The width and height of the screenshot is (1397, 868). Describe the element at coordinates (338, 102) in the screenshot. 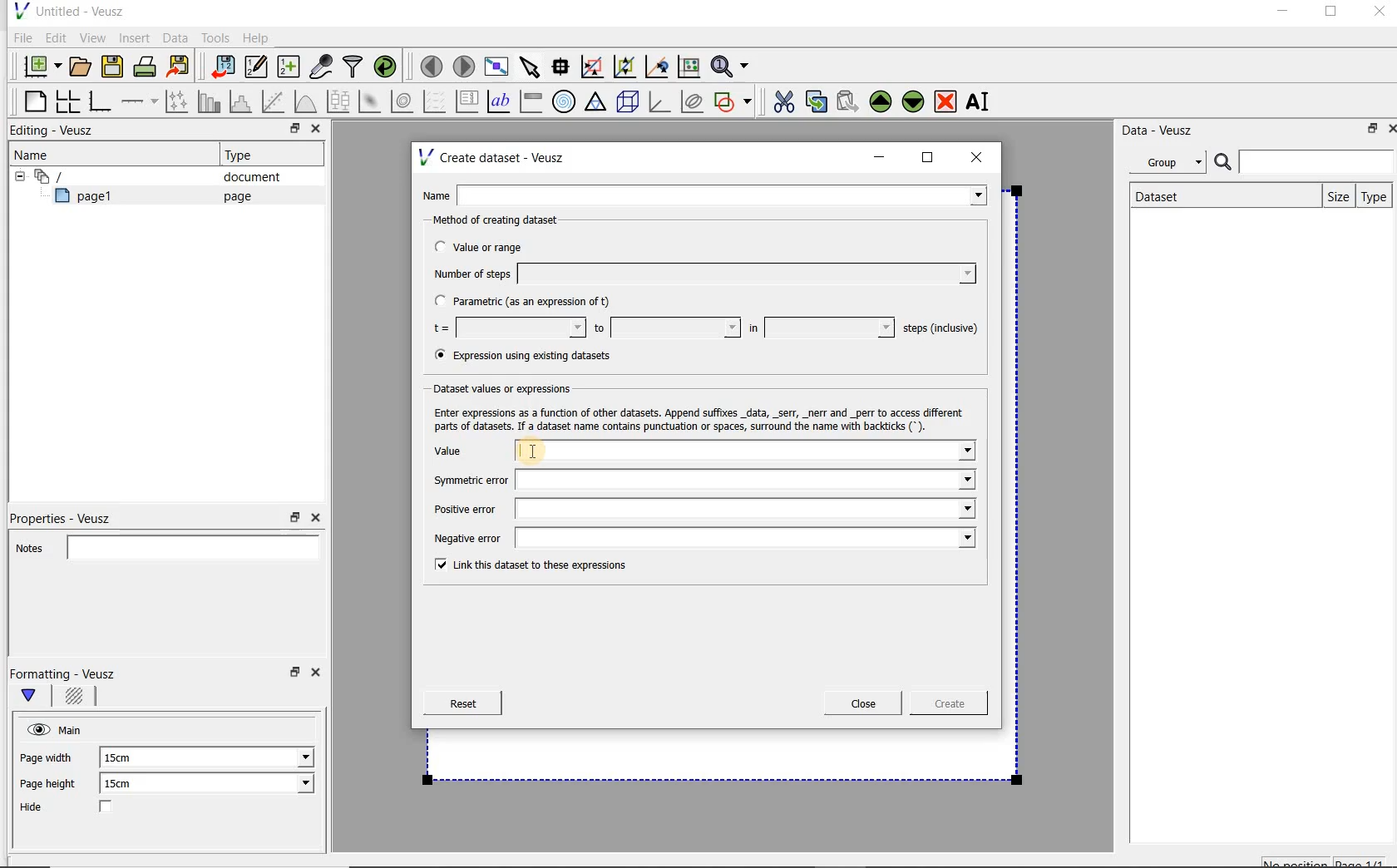

I see `plot box plots` at that location.